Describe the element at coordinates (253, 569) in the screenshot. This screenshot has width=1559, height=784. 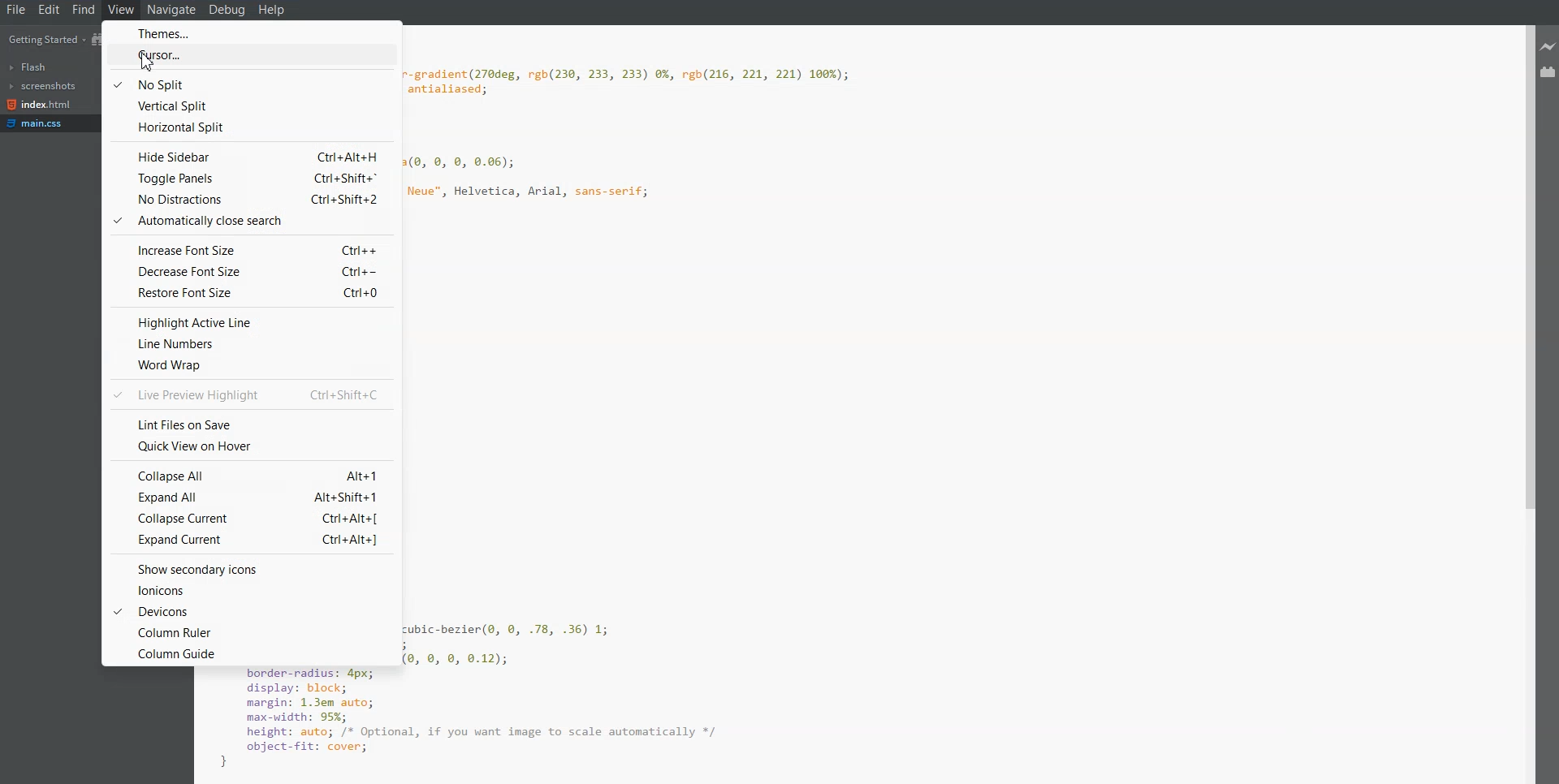
I see `Show secondary icons` at that location.